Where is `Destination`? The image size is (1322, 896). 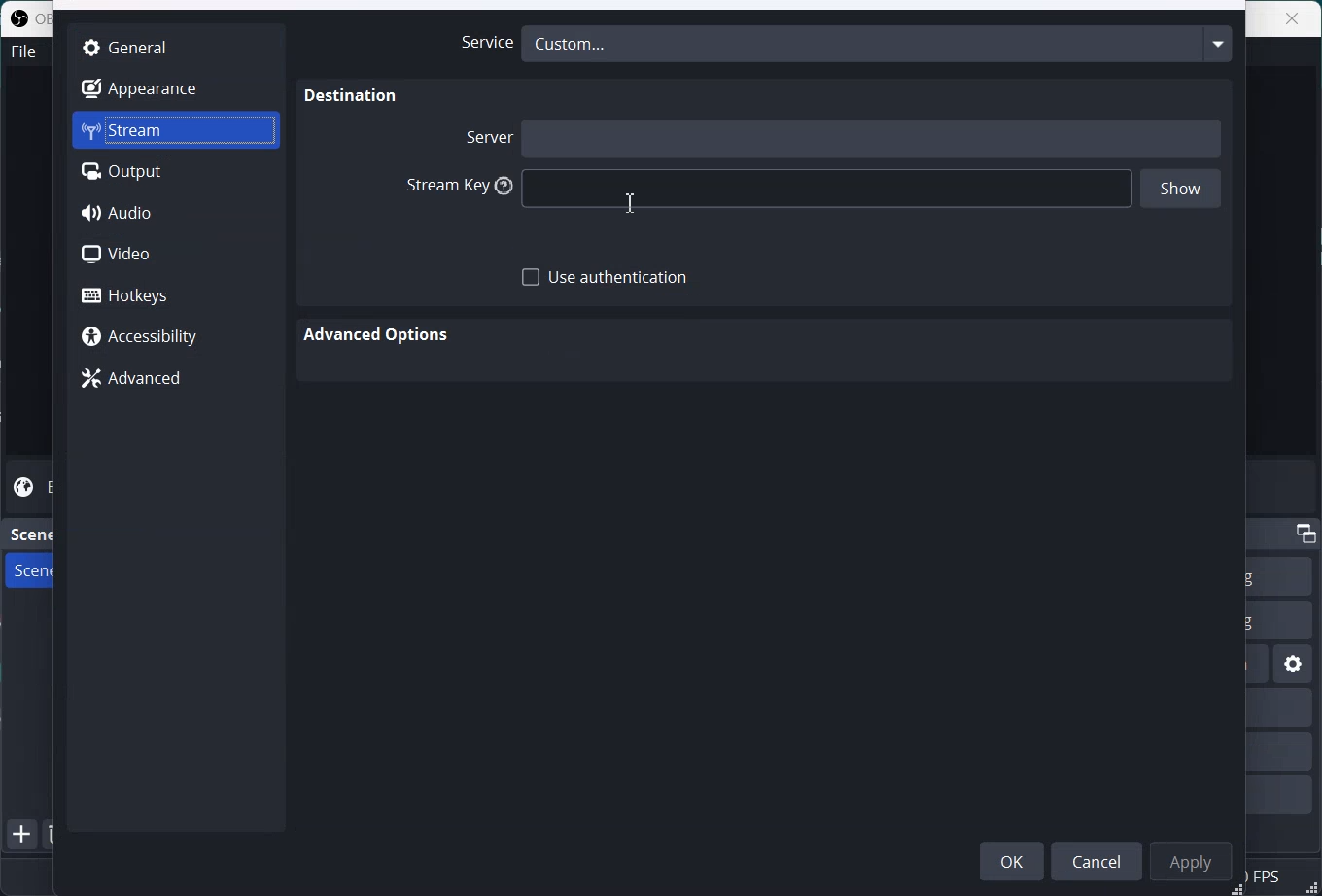 Destination is located at coordinates (352, 96).